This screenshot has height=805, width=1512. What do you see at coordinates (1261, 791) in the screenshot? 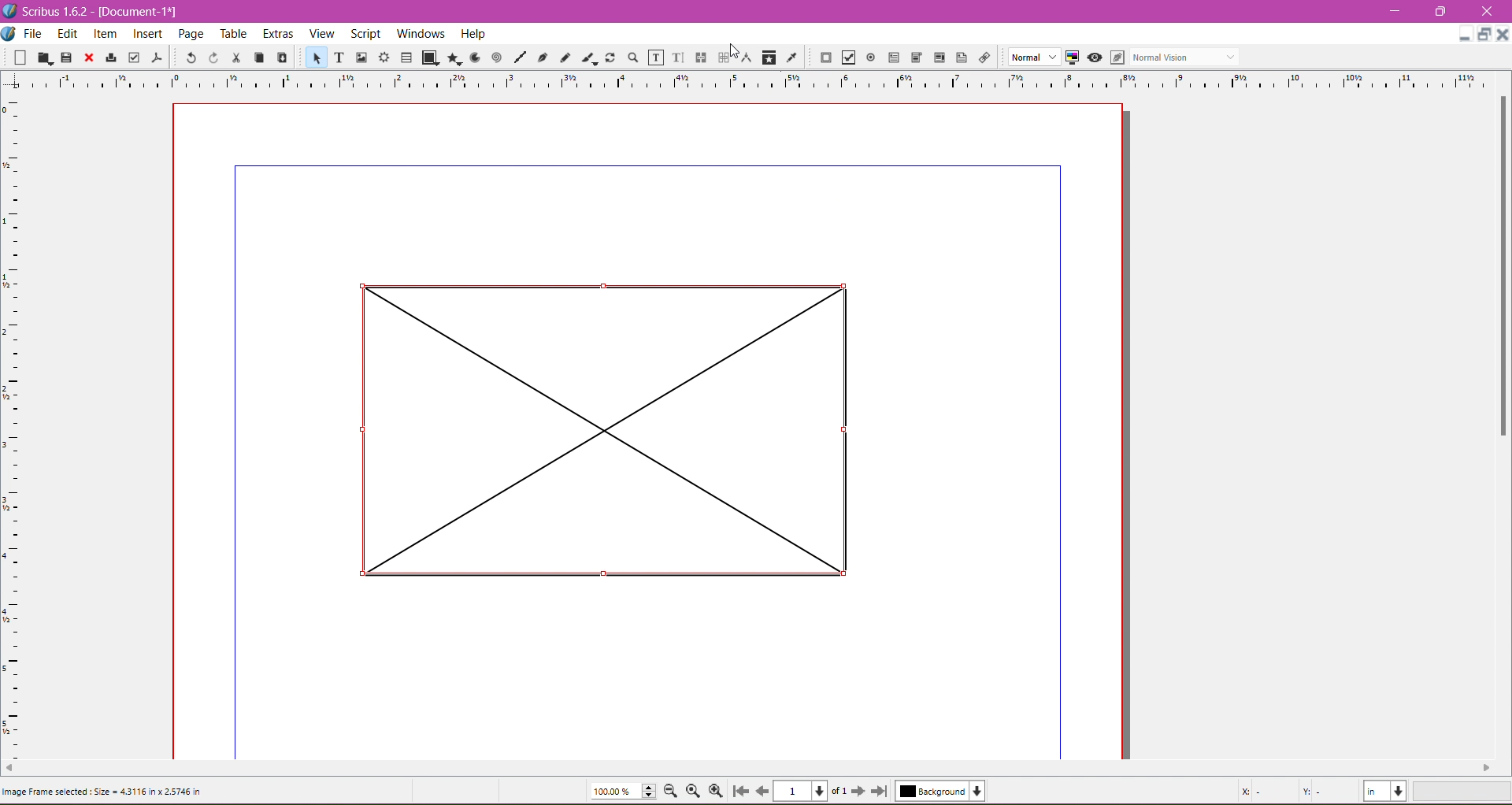
I see `` at bounding box center [1261, 791].